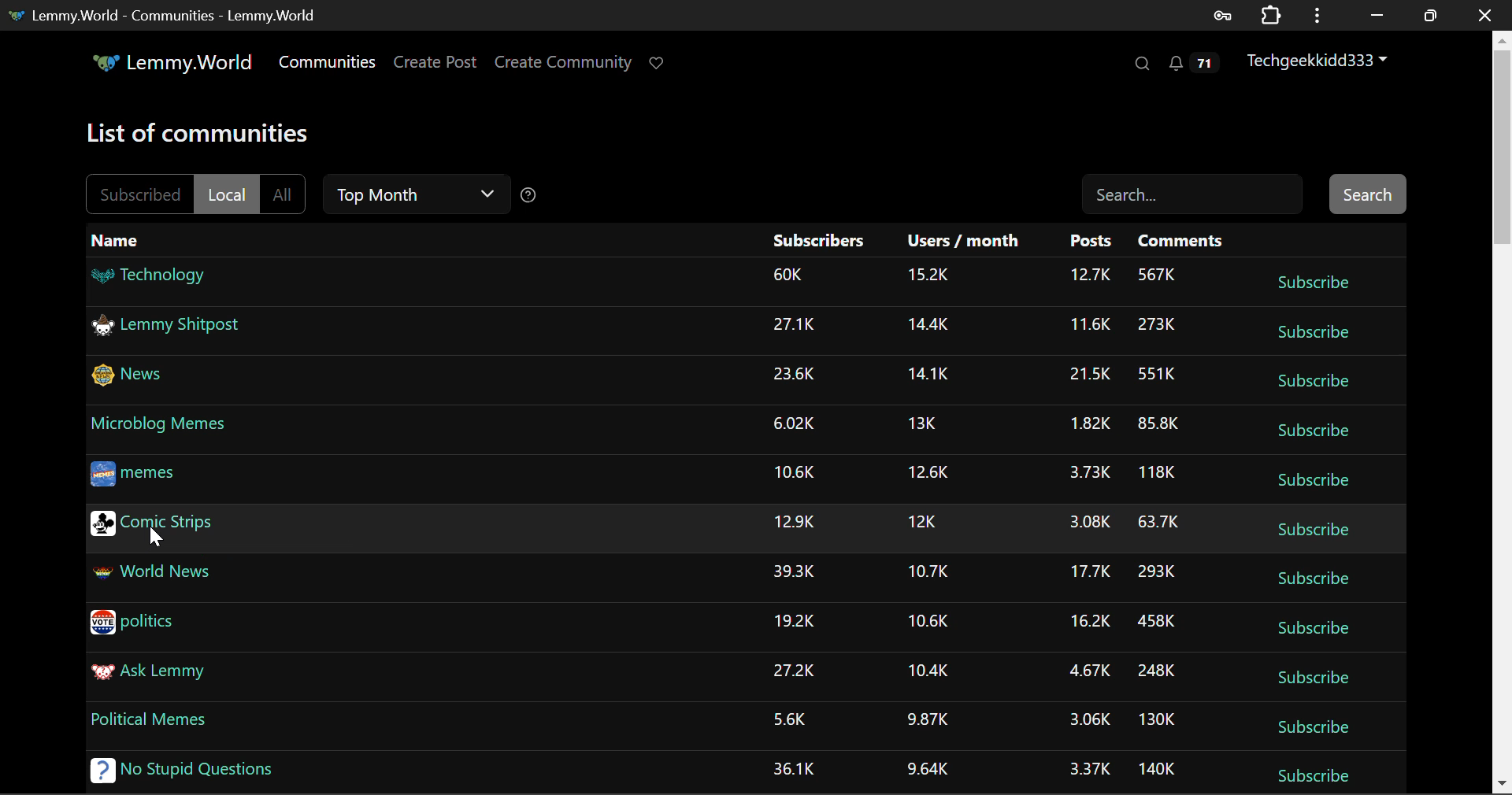  What do you see at coordinates (1158, 522) in the screenshot?
I see `63.7K` at bounding box center [1158, 522].